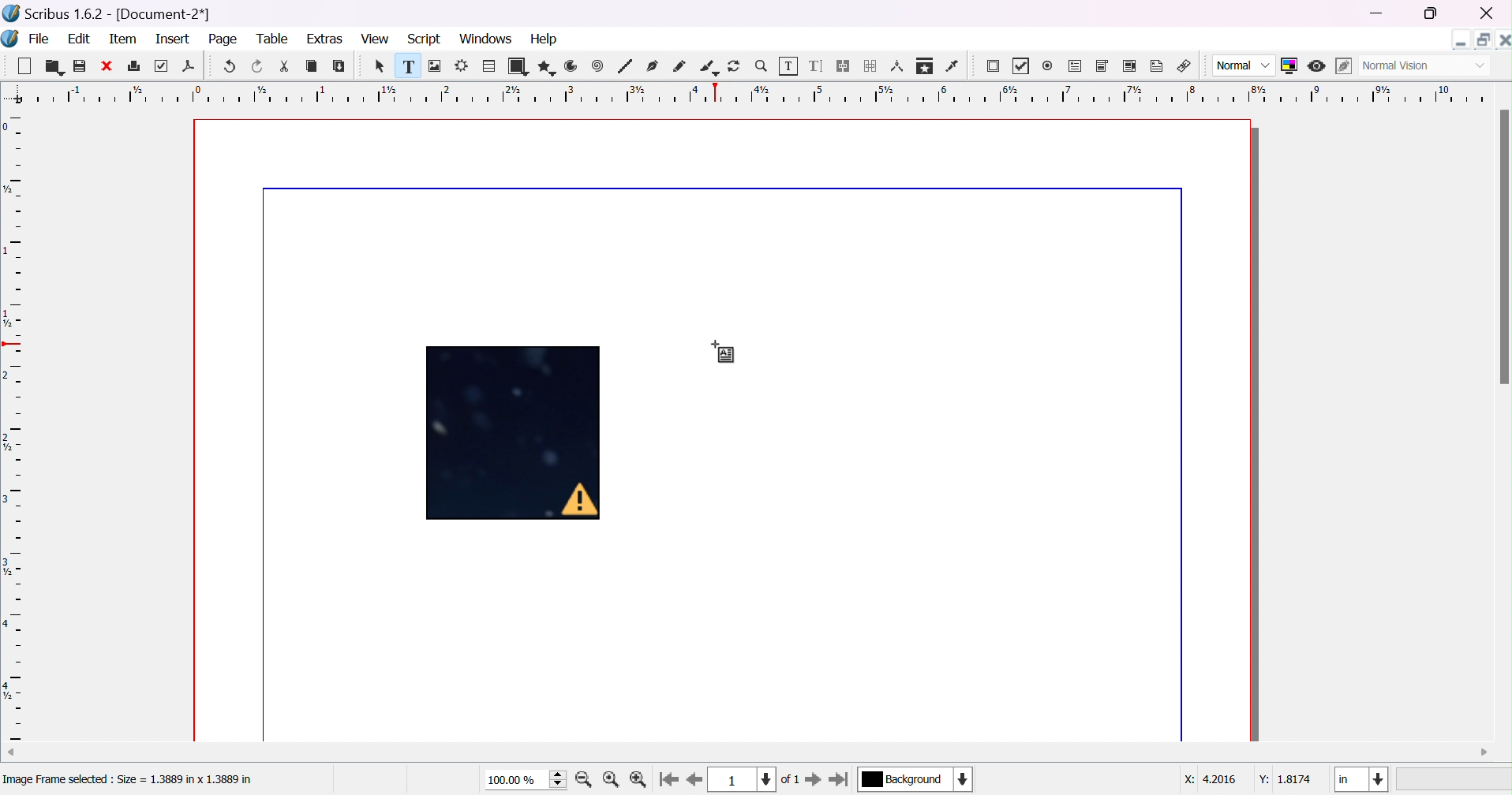 The image size is (1512, 795). What do you see at coordinates (871, 65) in the screenshot?
I see `unlink text frames` at bounding box center [871, 65].